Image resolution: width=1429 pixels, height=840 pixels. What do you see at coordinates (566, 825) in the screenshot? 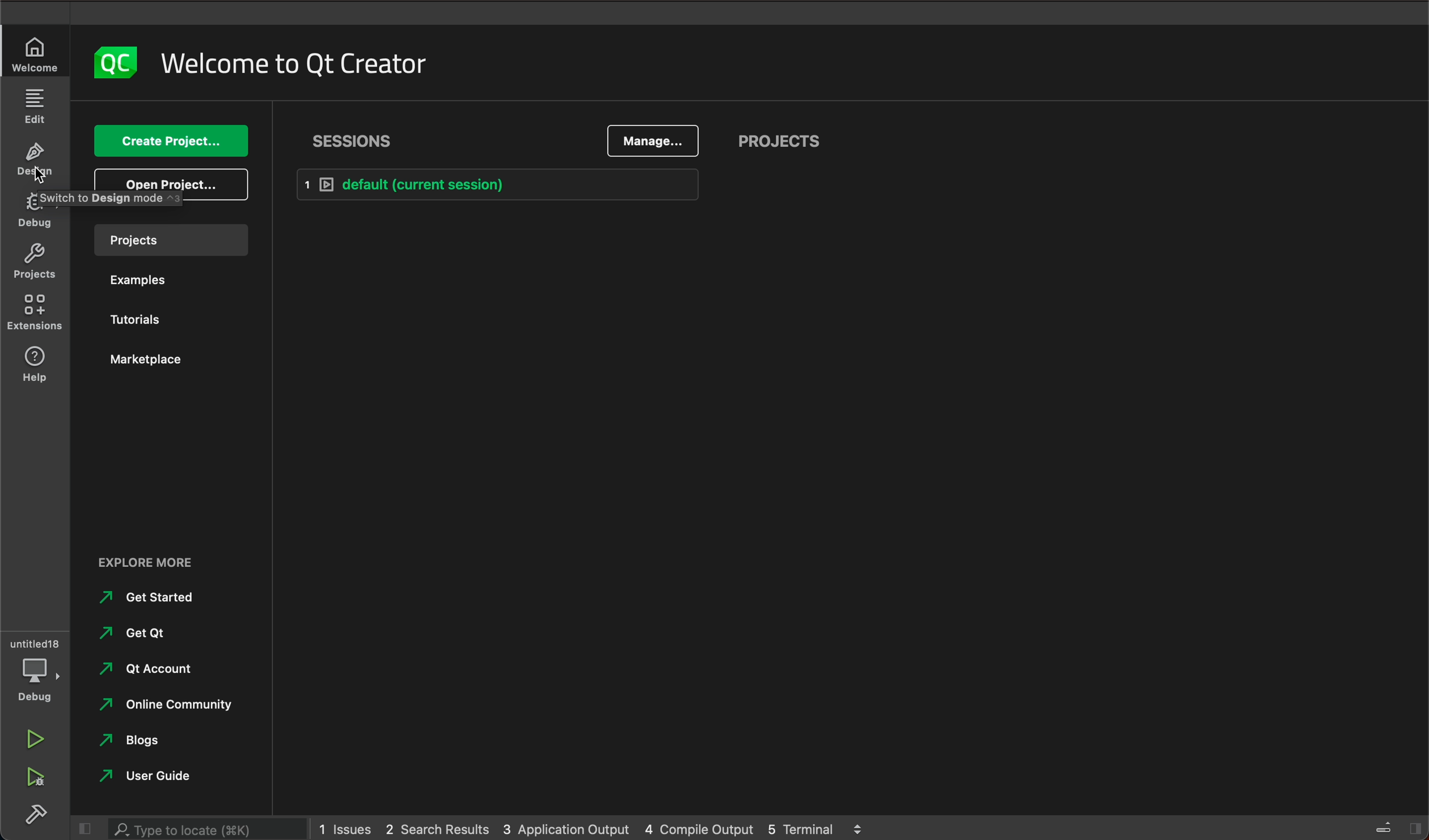
I see `3 application output` at bounding box center [566, 825].